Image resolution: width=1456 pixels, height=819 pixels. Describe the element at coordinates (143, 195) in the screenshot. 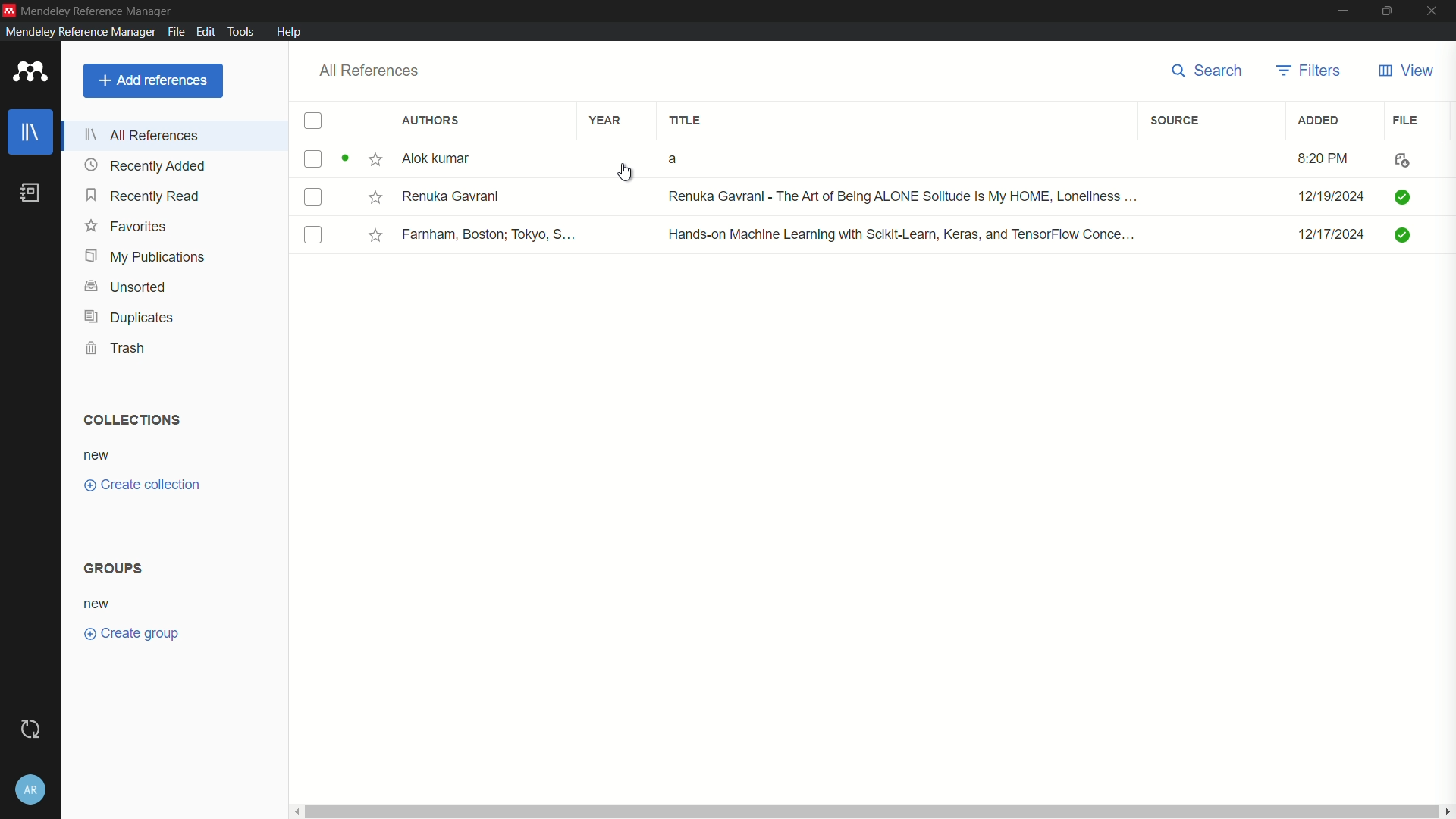

I see `recently read` at that location.